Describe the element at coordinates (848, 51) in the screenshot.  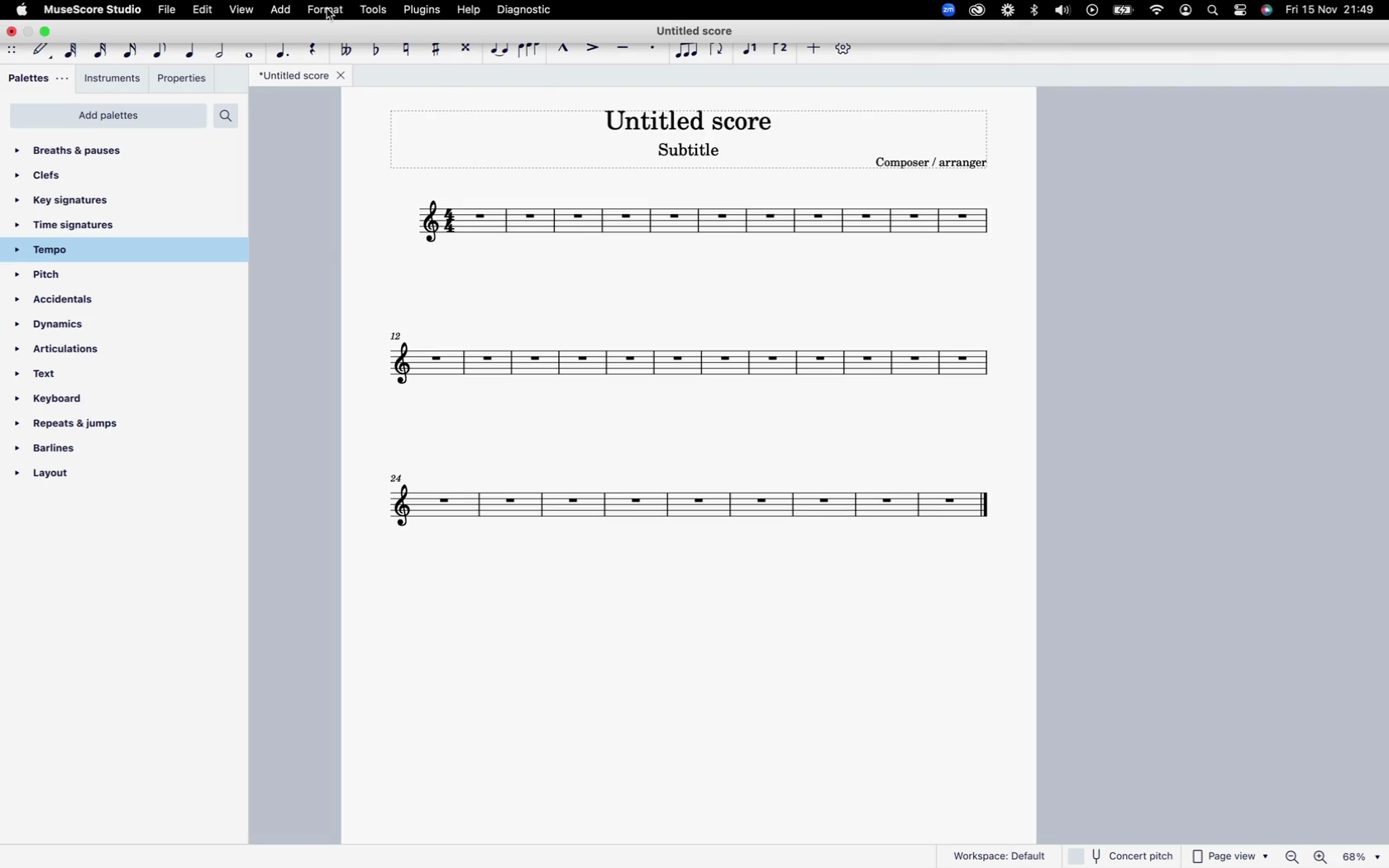
I see `settings` at that location.